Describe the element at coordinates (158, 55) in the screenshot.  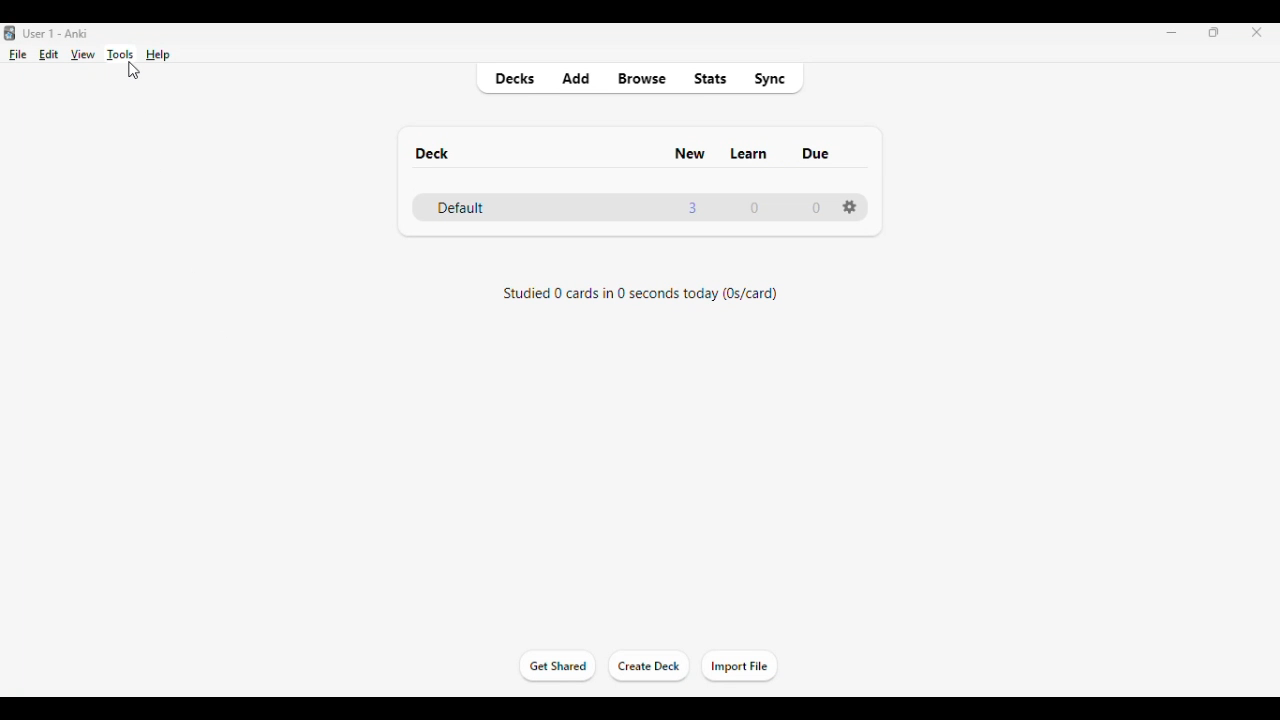
I see `help` at that location.